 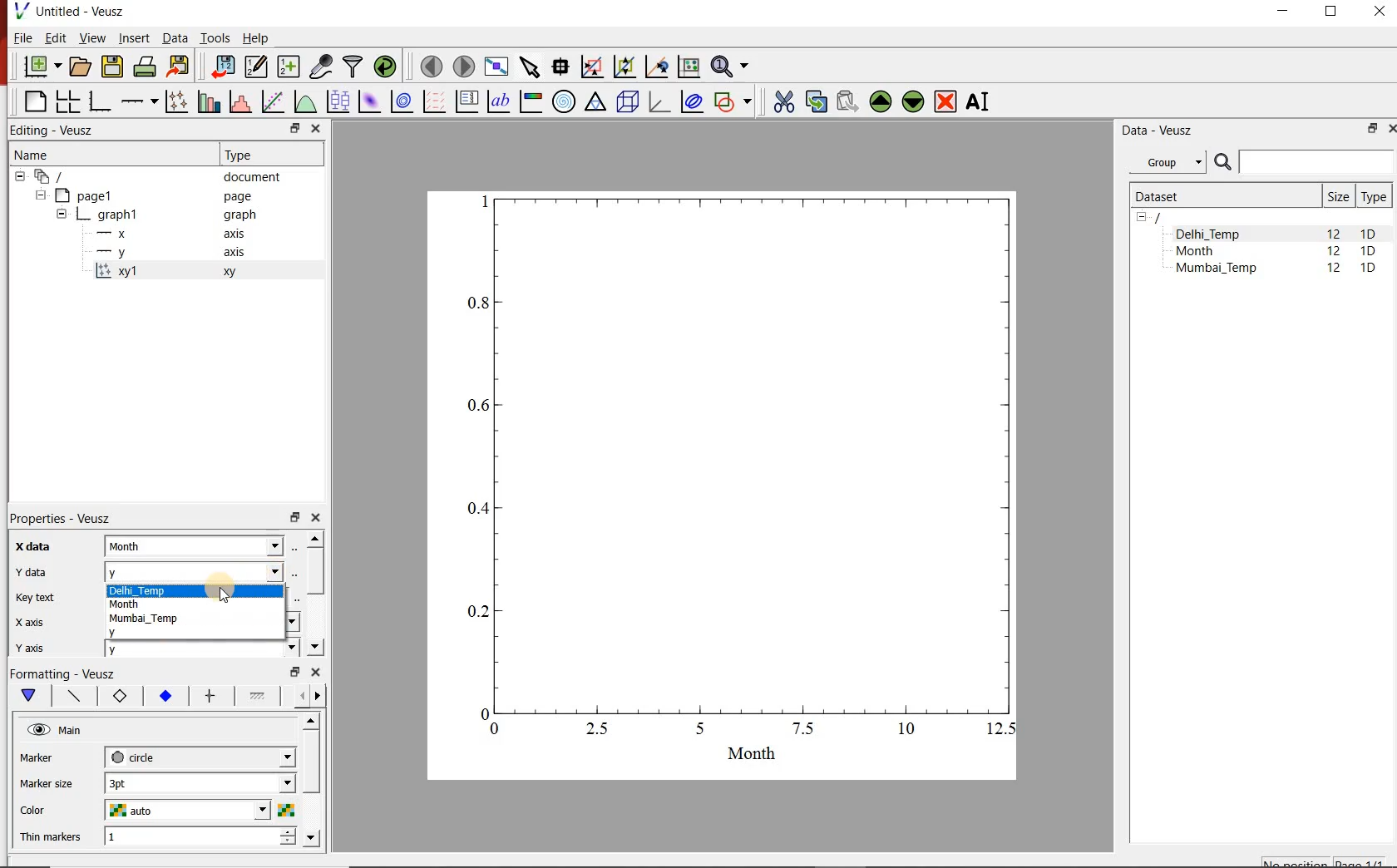 What do you see at coordinates (296, 128) in the screenshot?
I see `restore` at bounding box center [296, 128].